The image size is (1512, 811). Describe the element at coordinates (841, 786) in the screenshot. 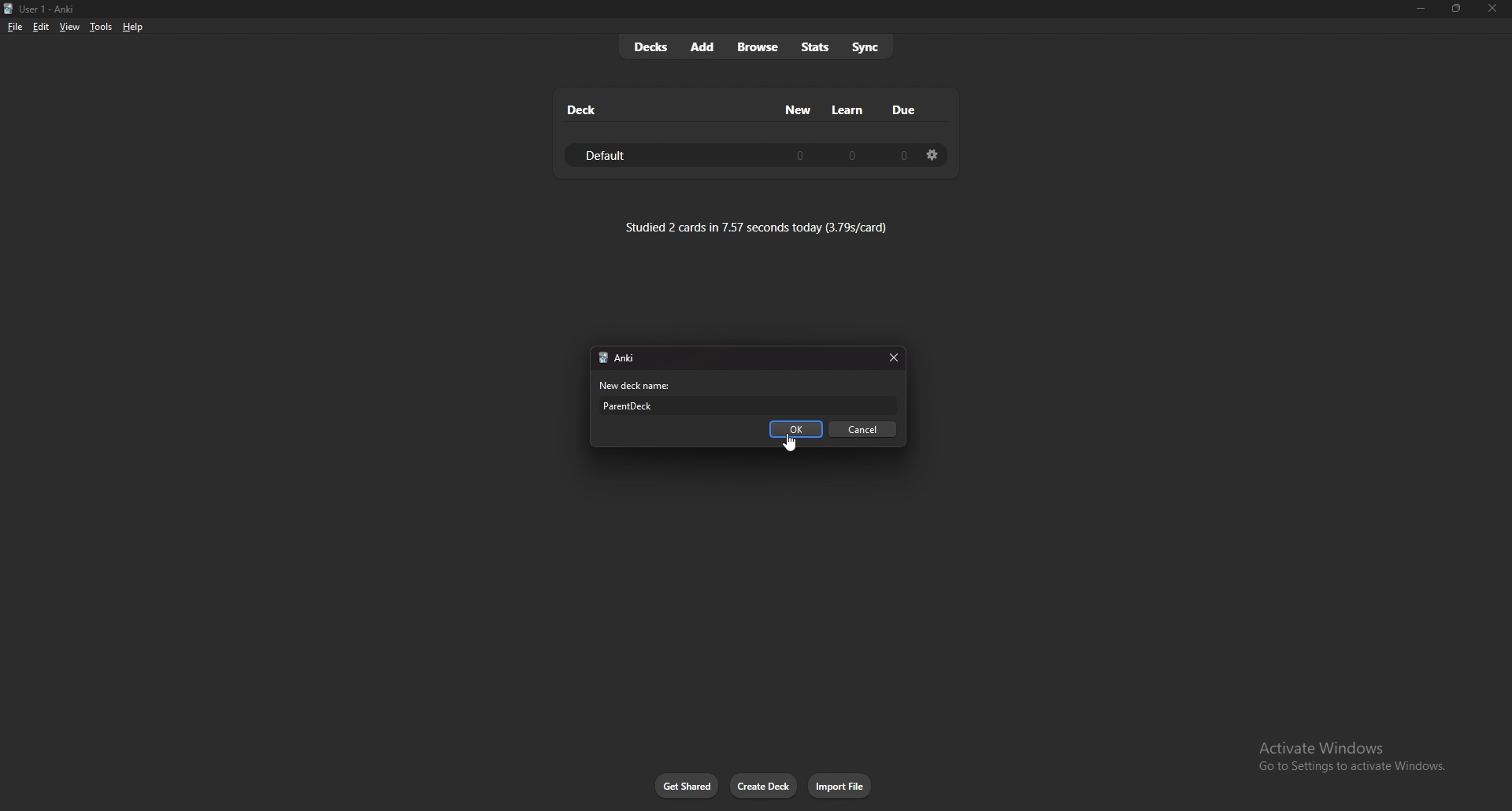

I see `import file` at that location.